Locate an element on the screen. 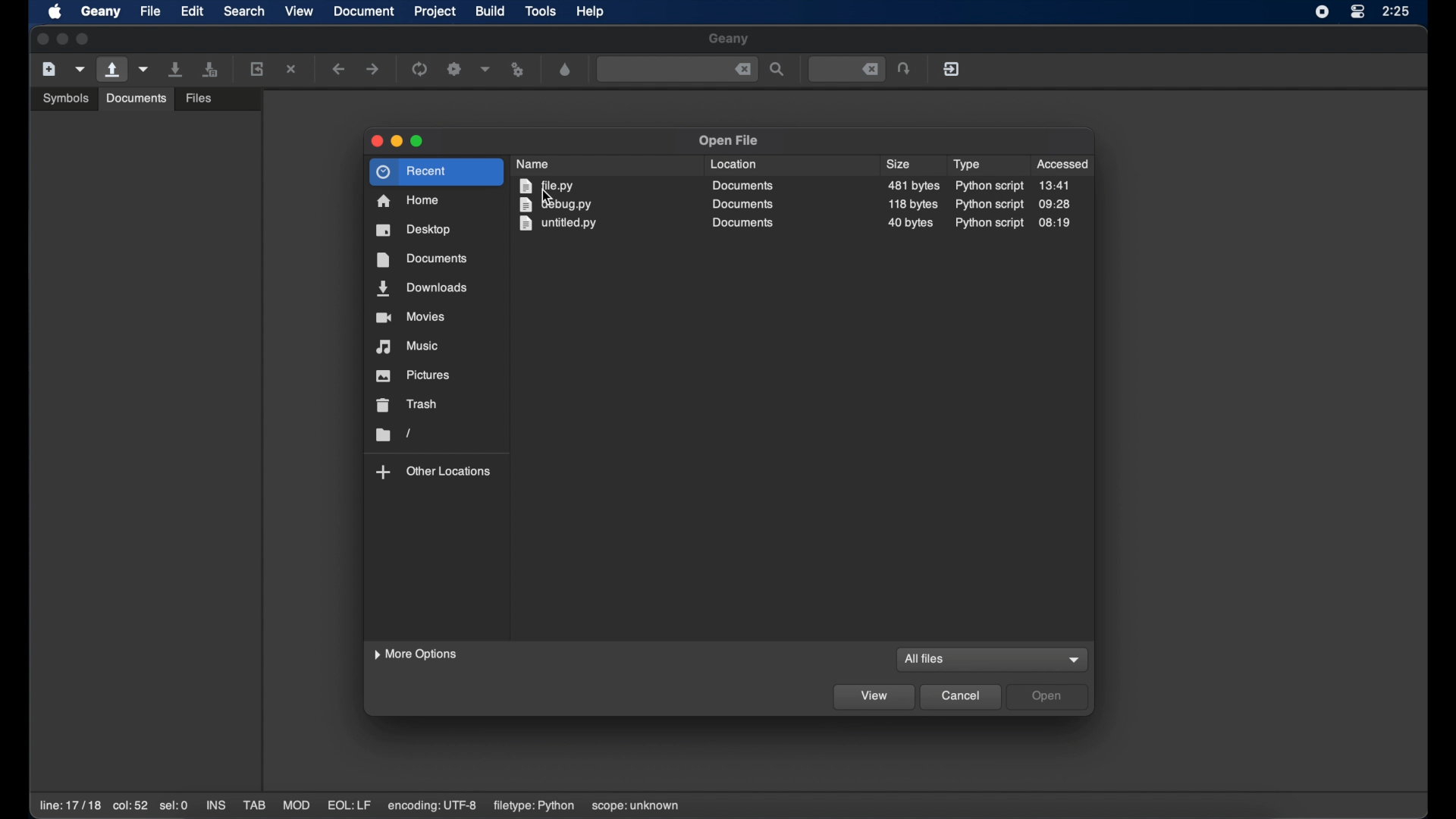 The height and width of the screenshot is (819, 1456). col:52 is located at coordinates (129, 807).